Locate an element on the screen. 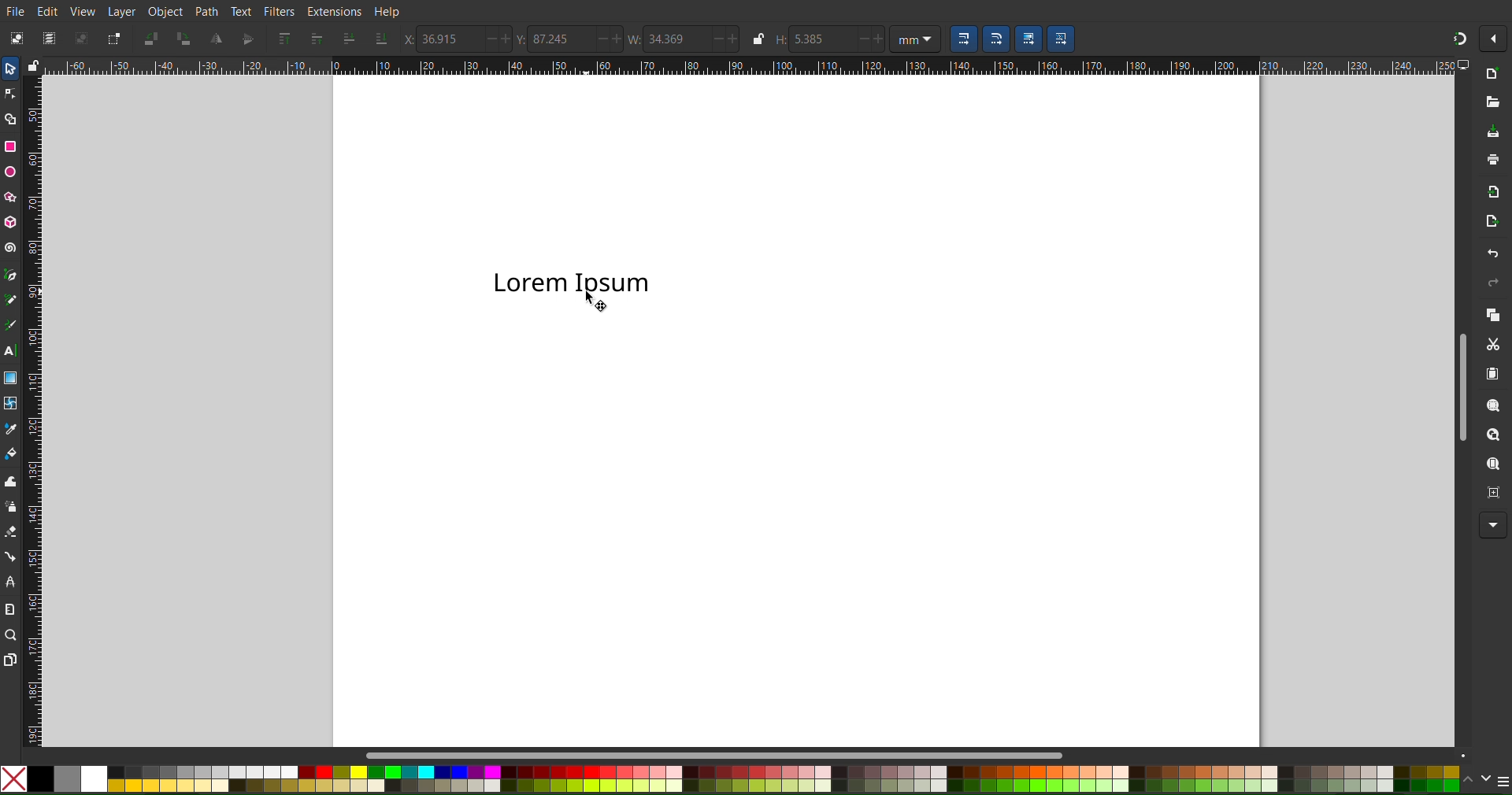  Measure is located at coordinates (9, 610).